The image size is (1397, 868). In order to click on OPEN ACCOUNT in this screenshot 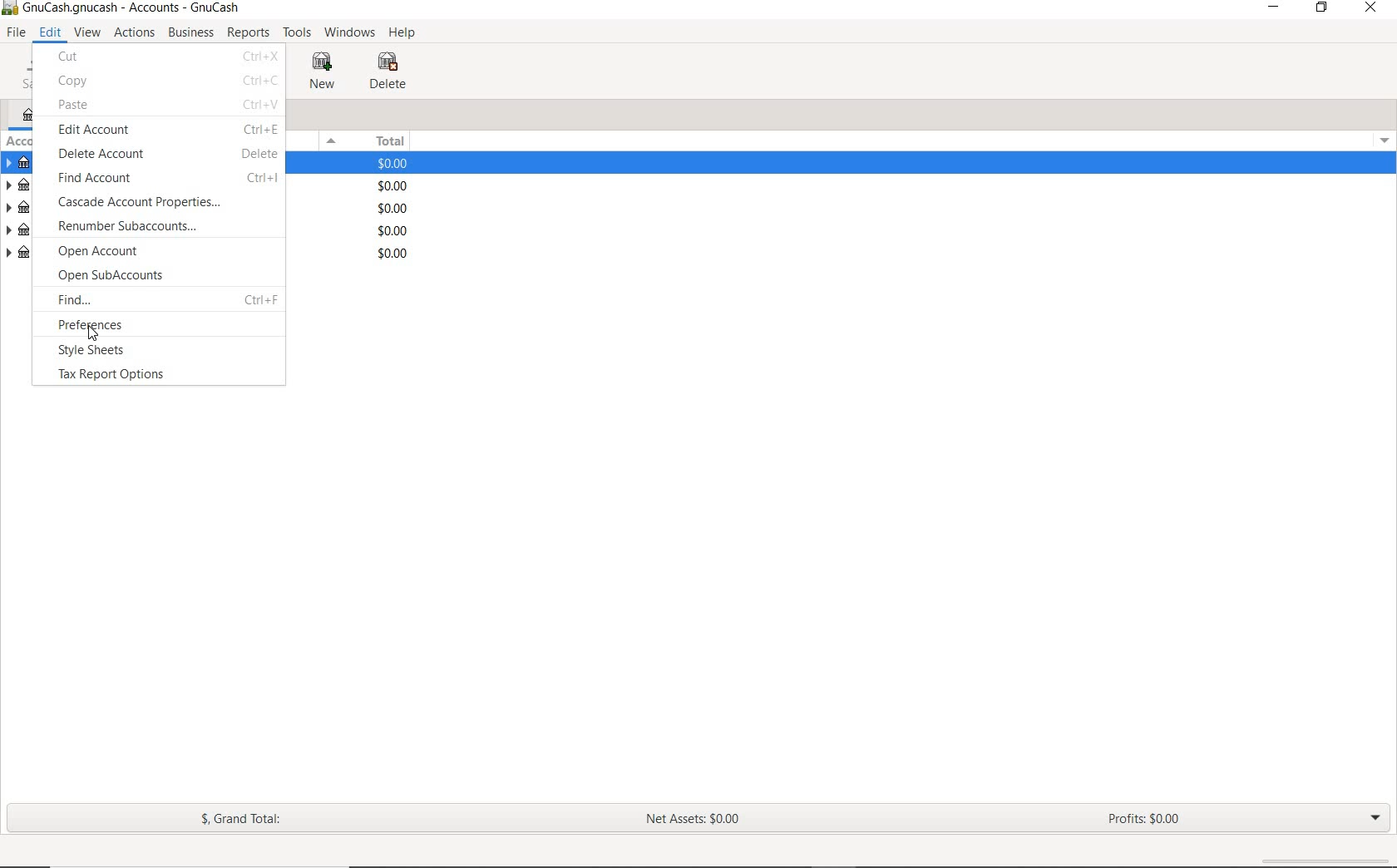, I will do `click(103, 252)`.